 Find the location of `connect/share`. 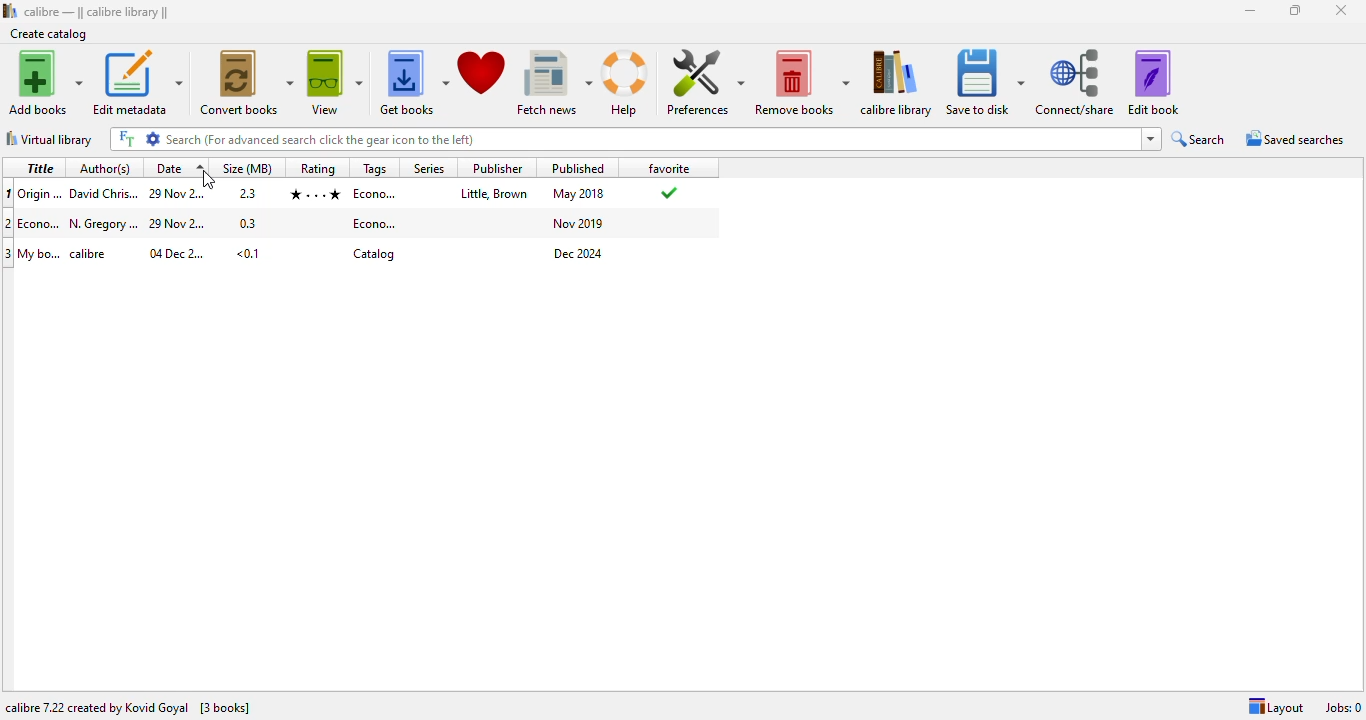

connect/share is located at coordinates (1074, 82).